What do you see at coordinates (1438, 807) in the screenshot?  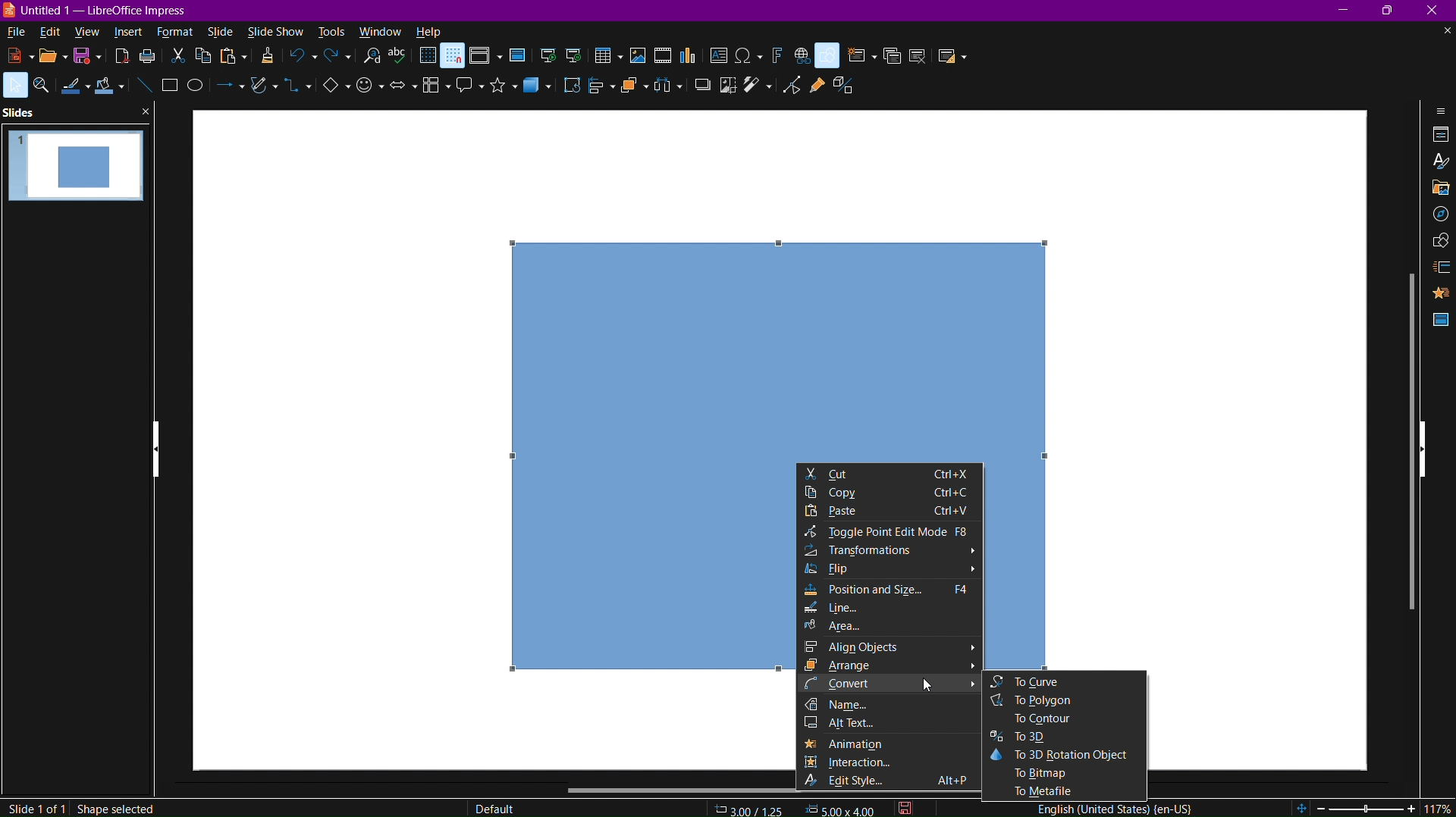 I see `zoom factor` at bounding box center [1438, 807].